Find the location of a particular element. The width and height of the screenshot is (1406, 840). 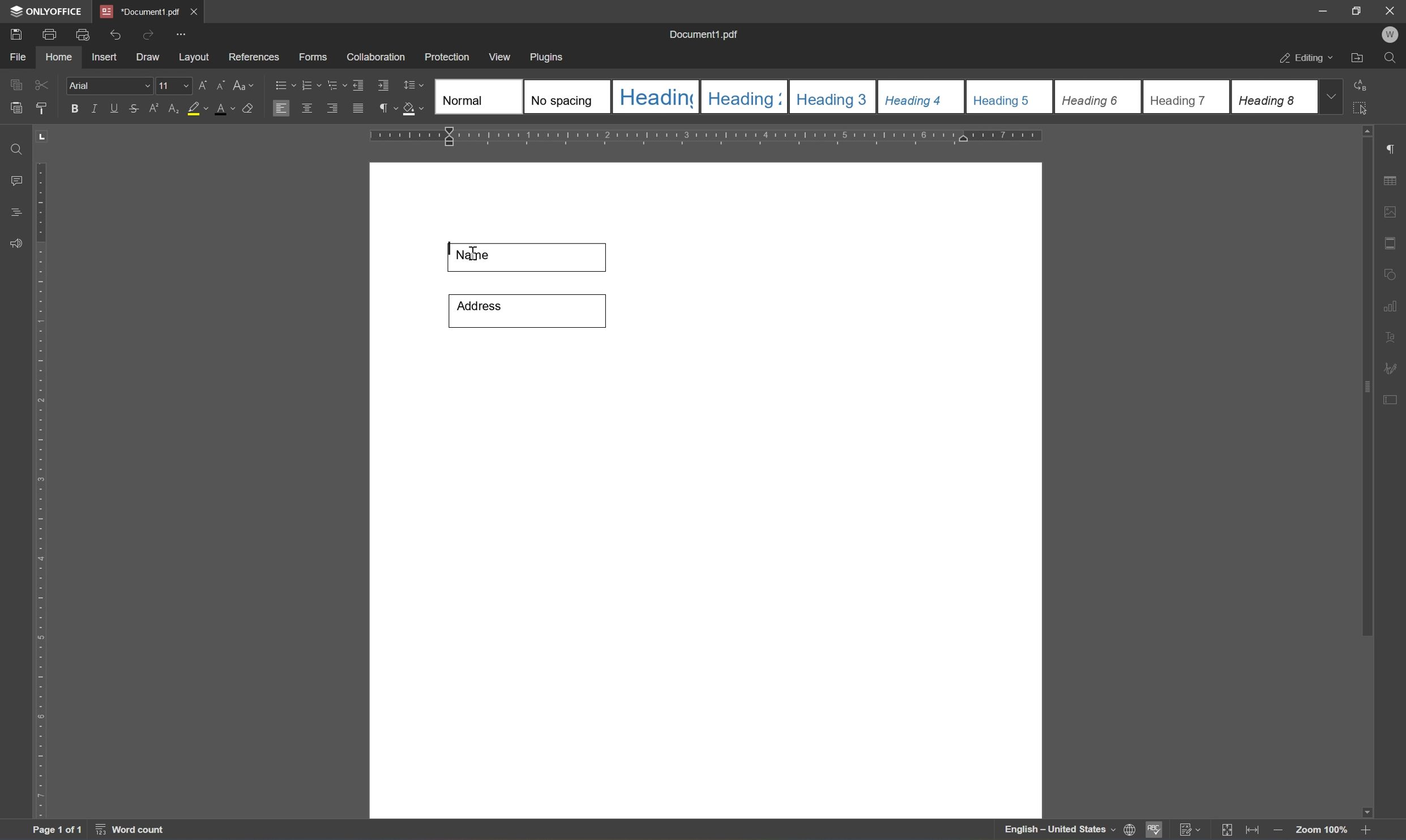

references is located at coordinates (253, 57).